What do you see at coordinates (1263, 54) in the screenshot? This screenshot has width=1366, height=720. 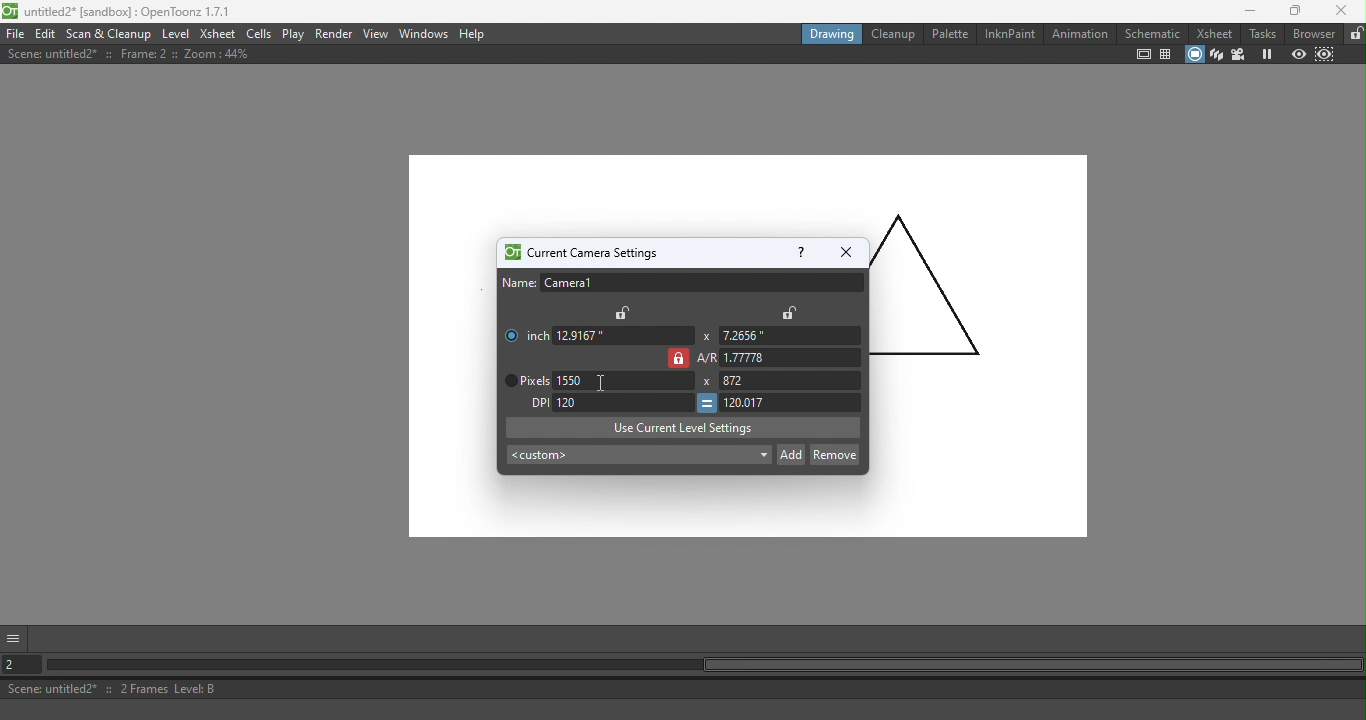 I see `Freeze` at bounding box center [1263, 54].